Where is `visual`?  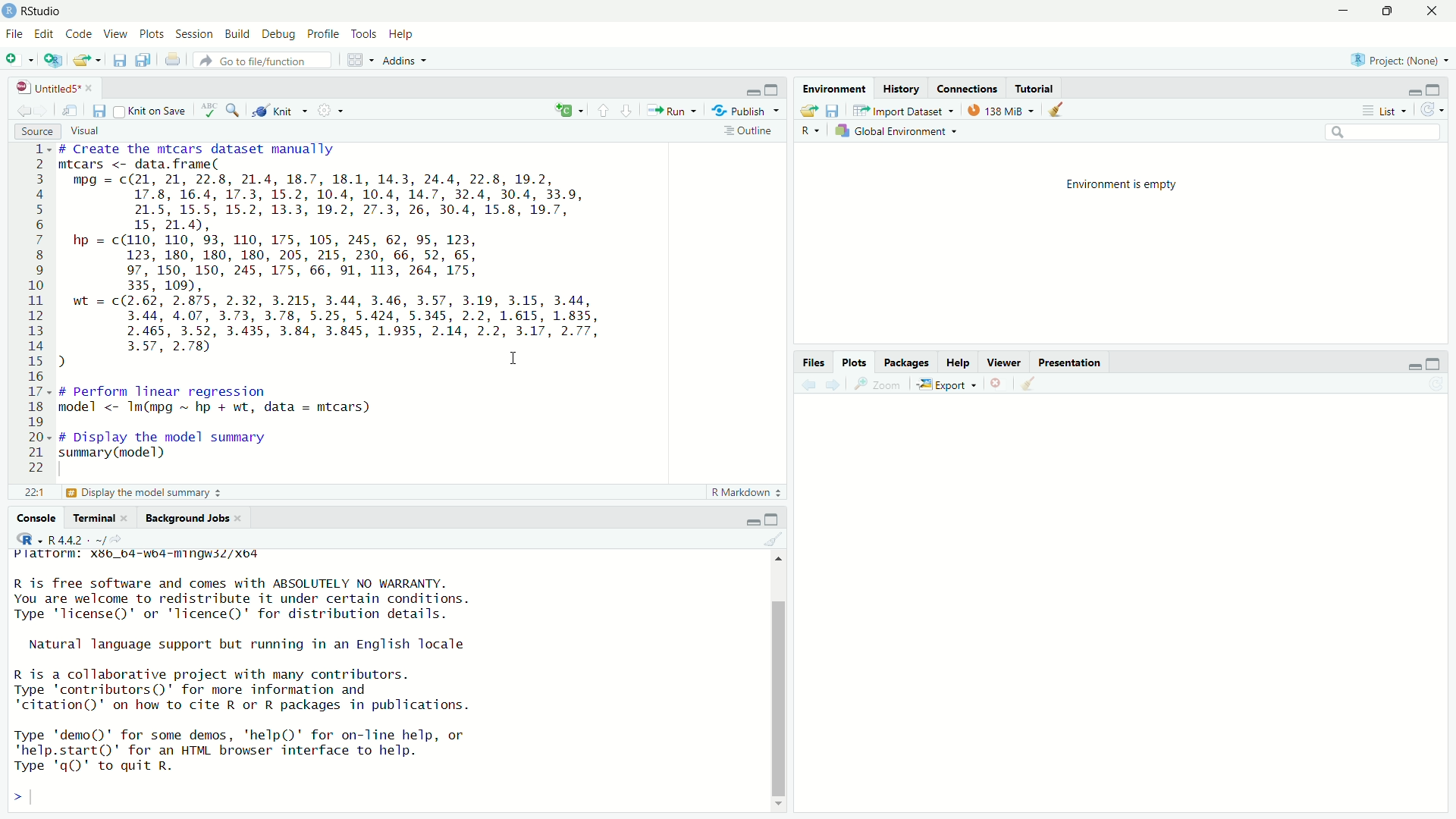
visual is located at coordinates (85, 130).